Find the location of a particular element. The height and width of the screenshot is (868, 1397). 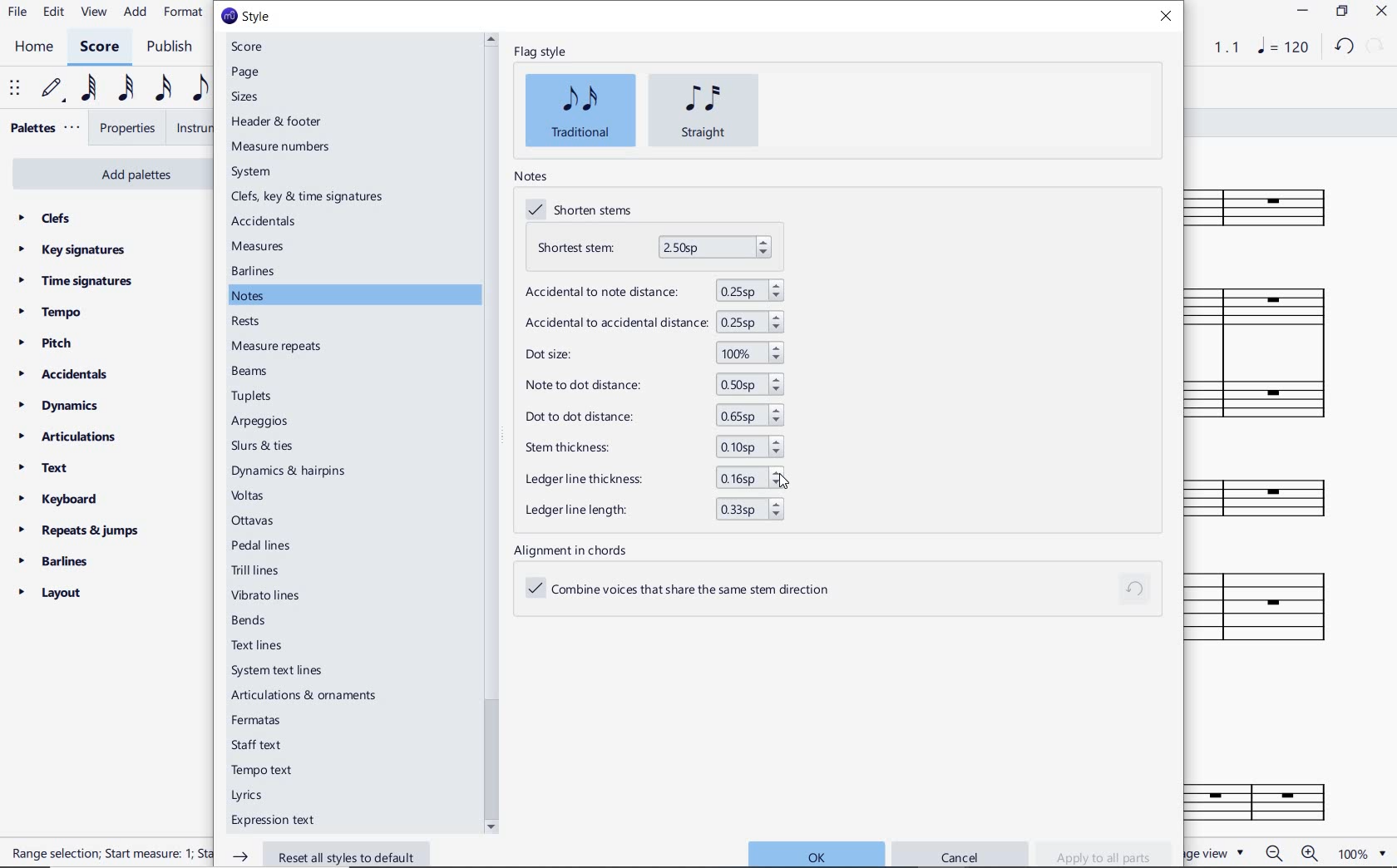

scrollbar is located at coordinates (491, 432).